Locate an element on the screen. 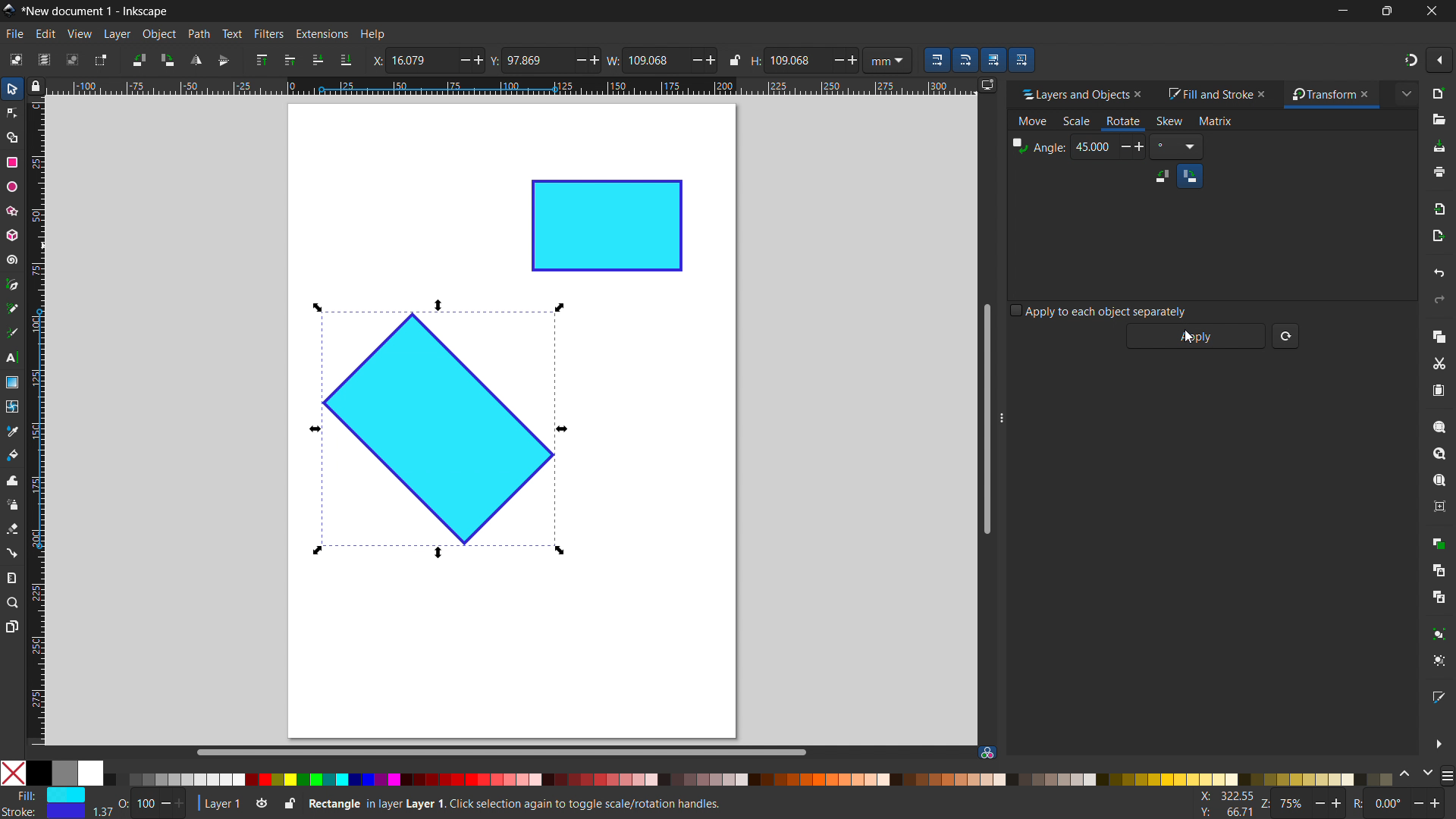 The height and width of the screenshot is (819, 1456). color palletes is located at coordinates (748, 779).